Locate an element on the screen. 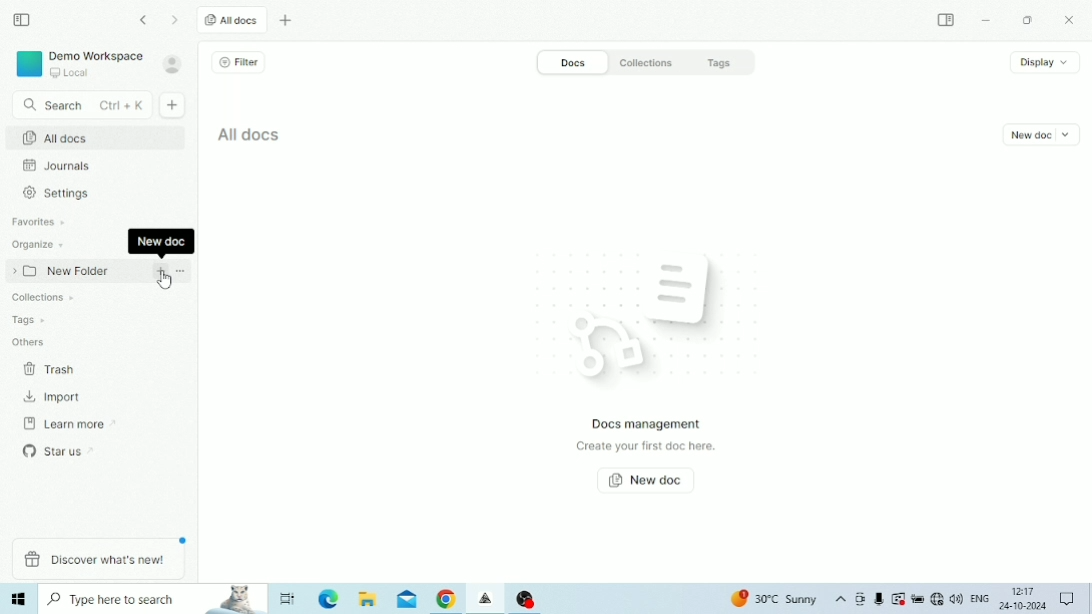 This screenshot has height=614, width=1092. Display is located at coordinates (1045, 63).